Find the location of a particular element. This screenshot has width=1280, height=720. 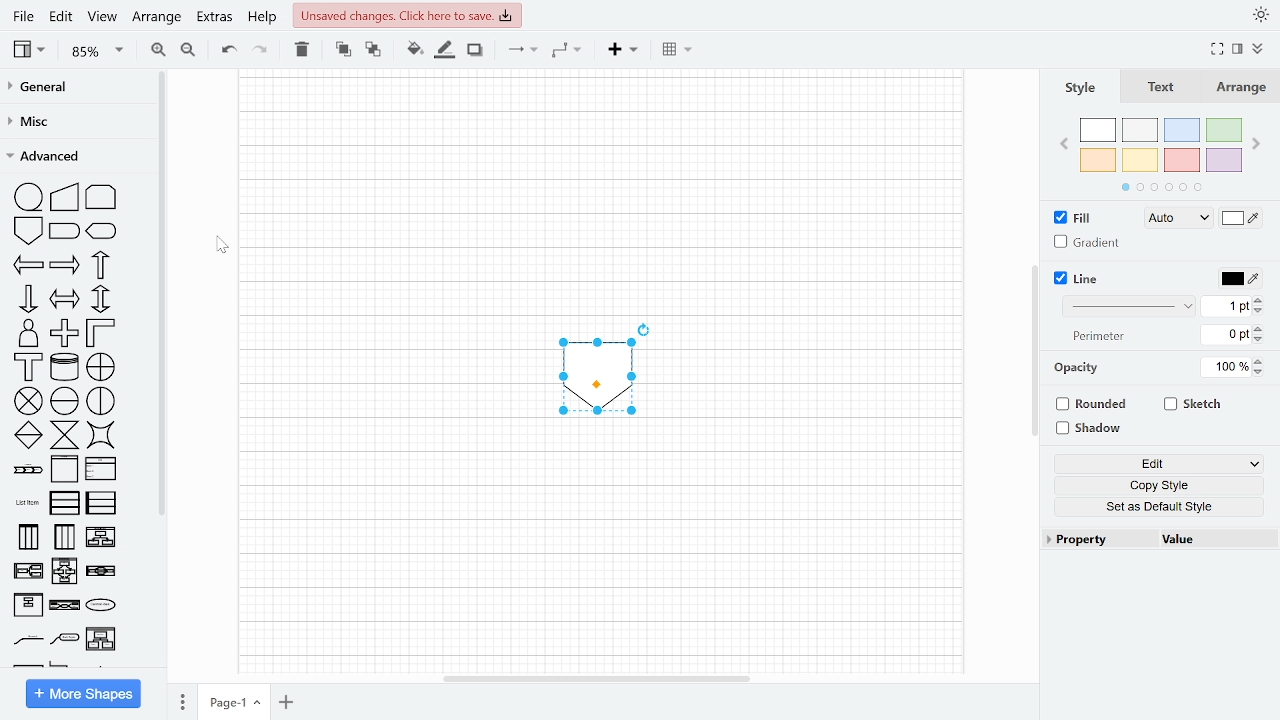

textText is located at coordinates (1159, 88).